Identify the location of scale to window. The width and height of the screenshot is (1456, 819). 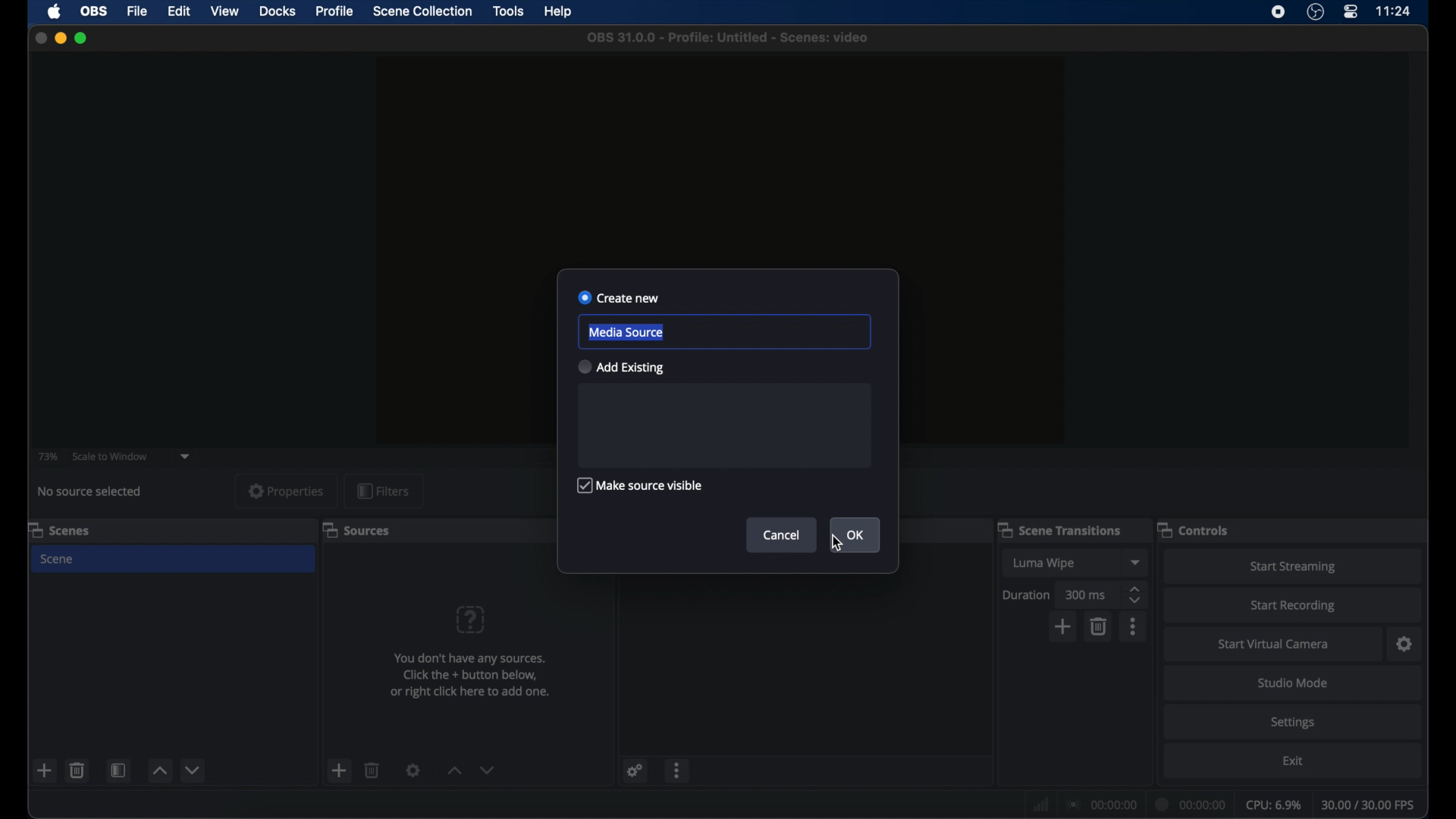
(110, 457).